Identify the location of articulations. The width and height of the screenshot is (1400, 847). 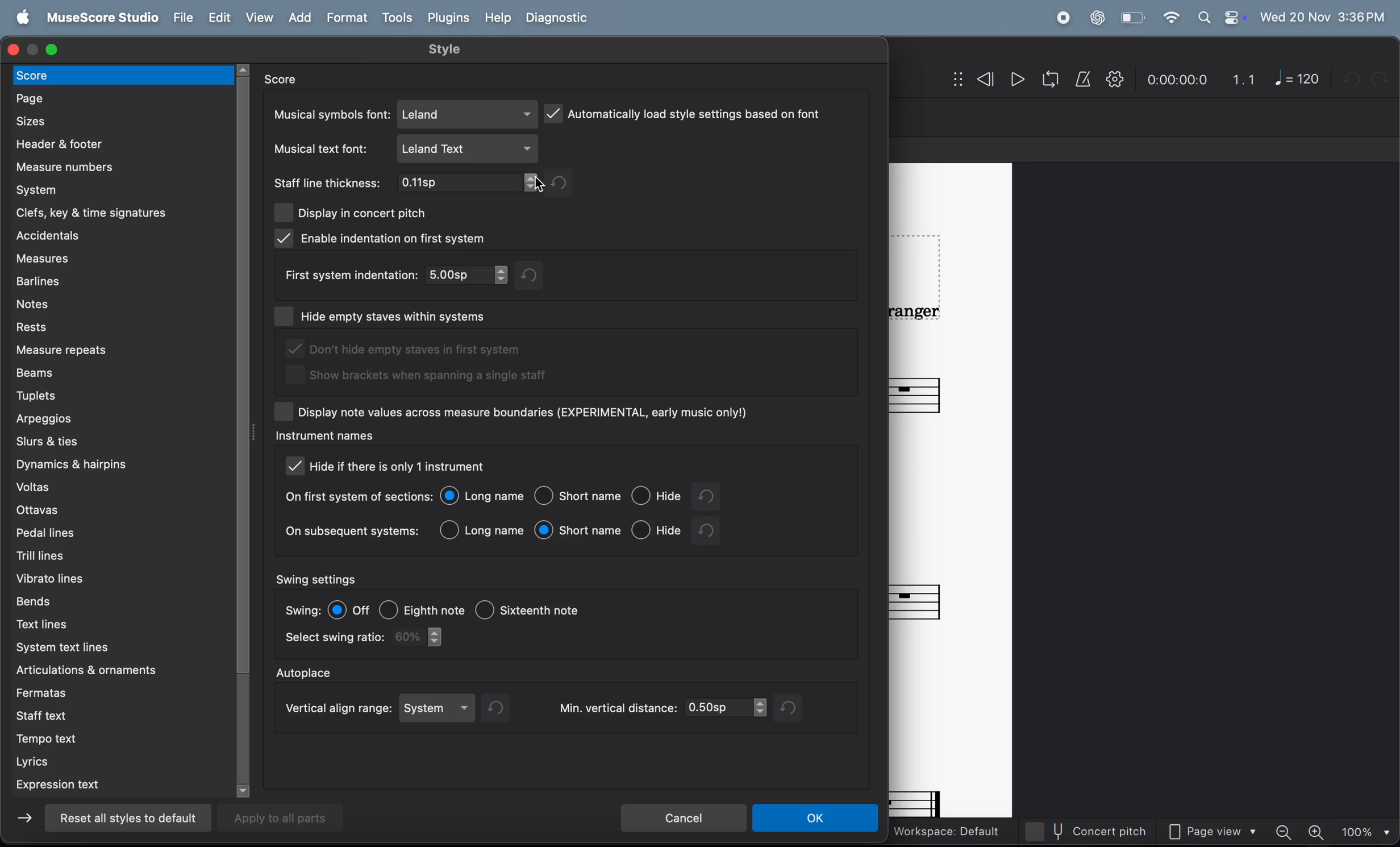
(97, 671).